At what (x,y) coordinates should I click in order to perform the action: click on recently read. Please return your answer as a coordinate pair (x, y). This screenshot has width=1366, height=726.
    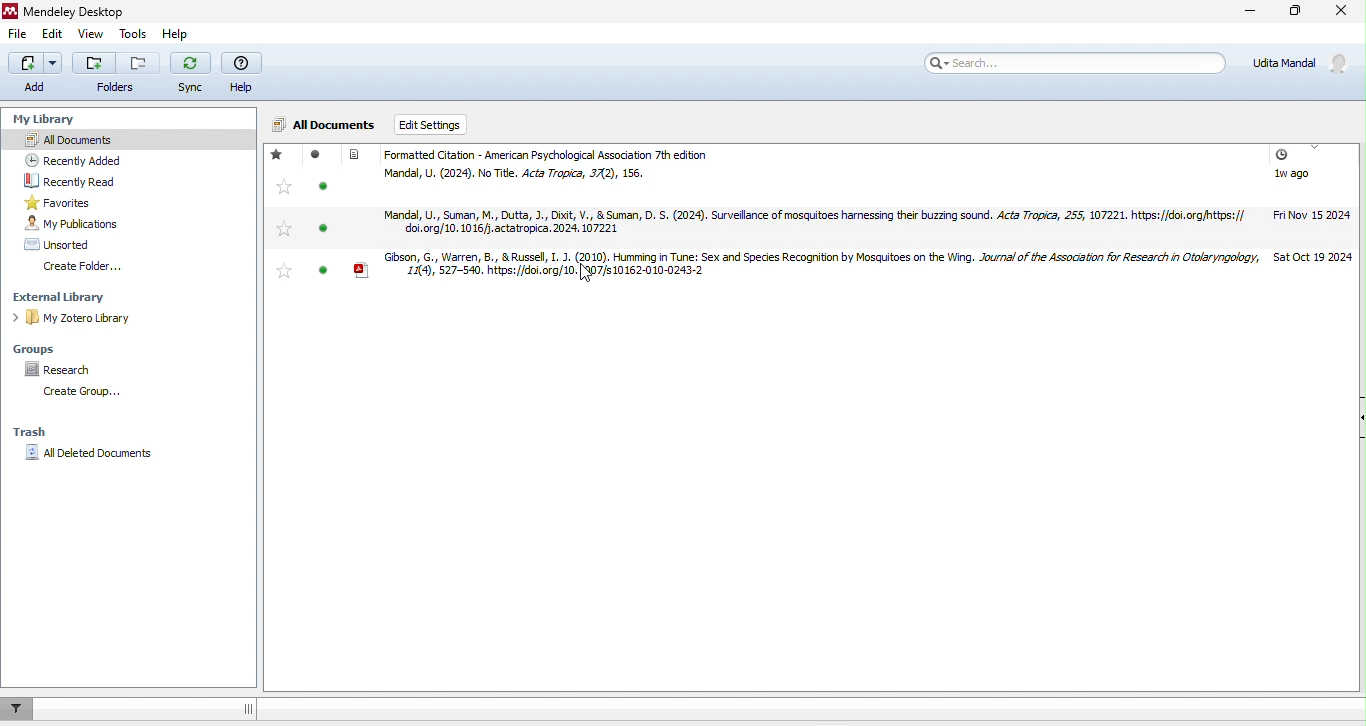
    Looking at the image, I should click on (88, 179).